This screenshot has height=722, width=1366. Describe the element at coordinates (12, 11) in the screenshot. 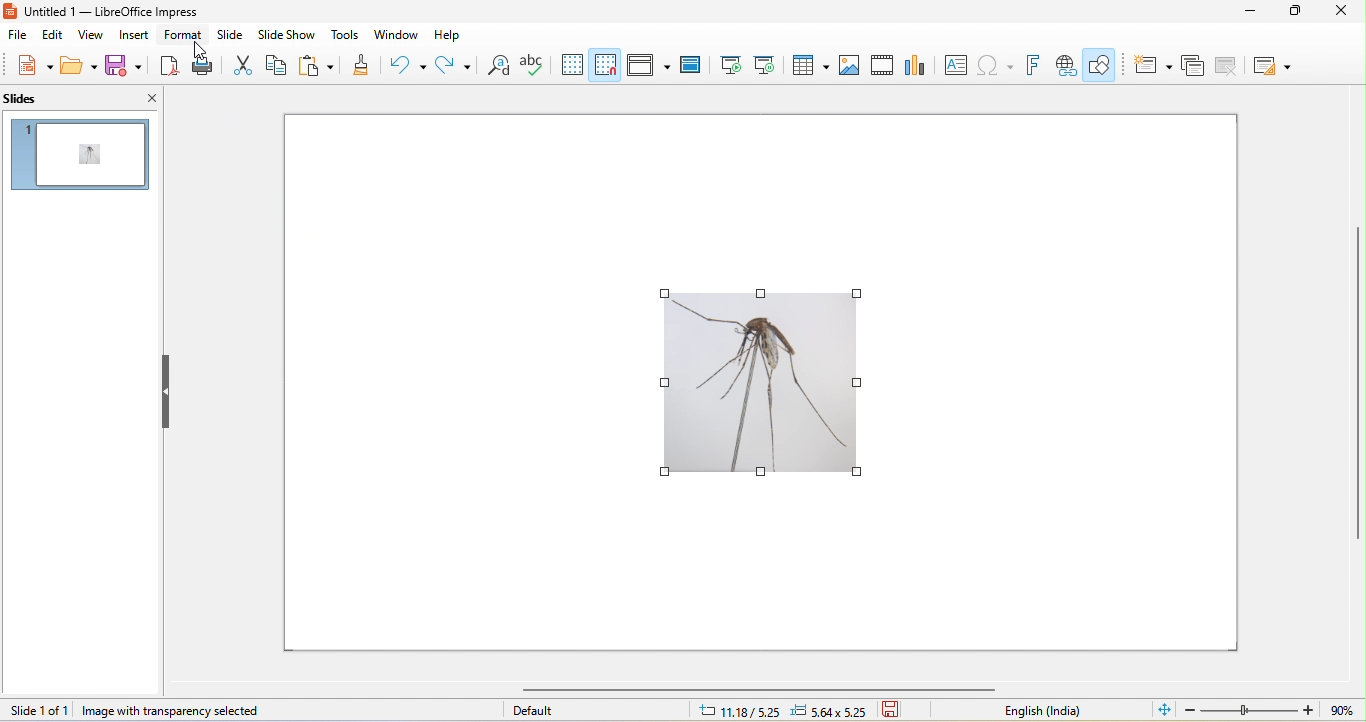

I see `libreoffice impress logo` at that location.